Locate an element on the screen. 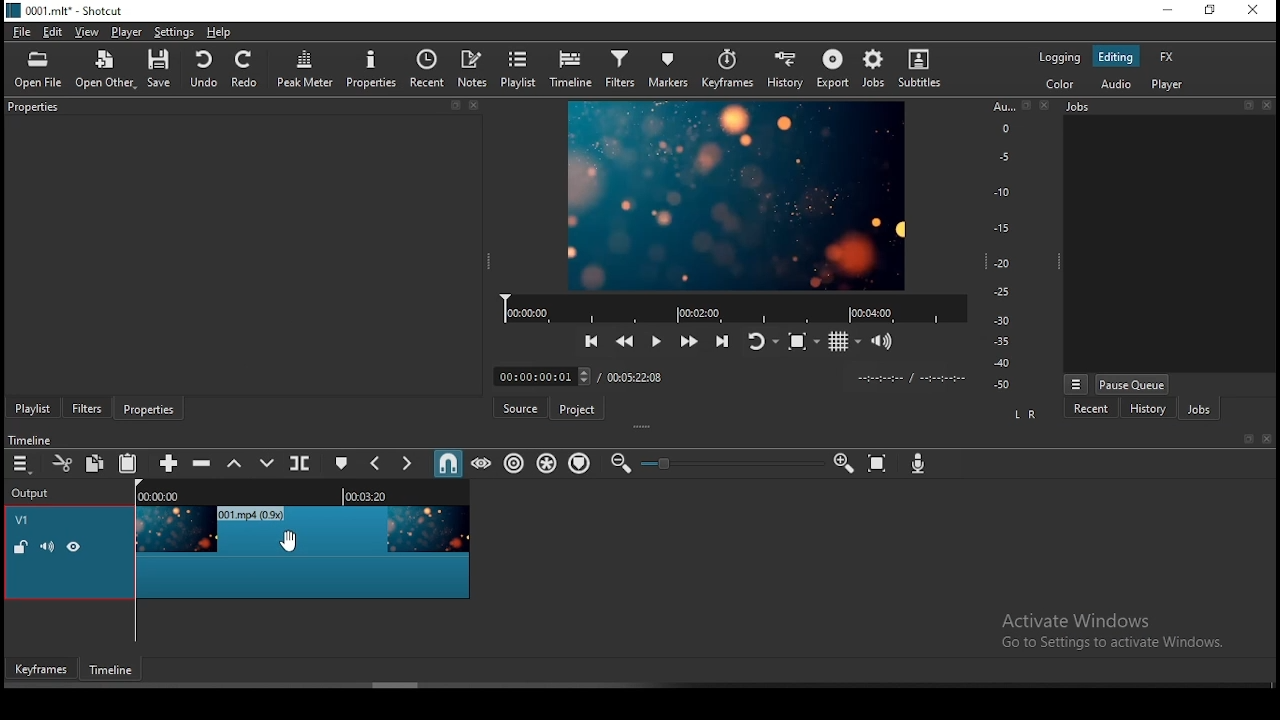  volume control is located at coordinates (883, 341).